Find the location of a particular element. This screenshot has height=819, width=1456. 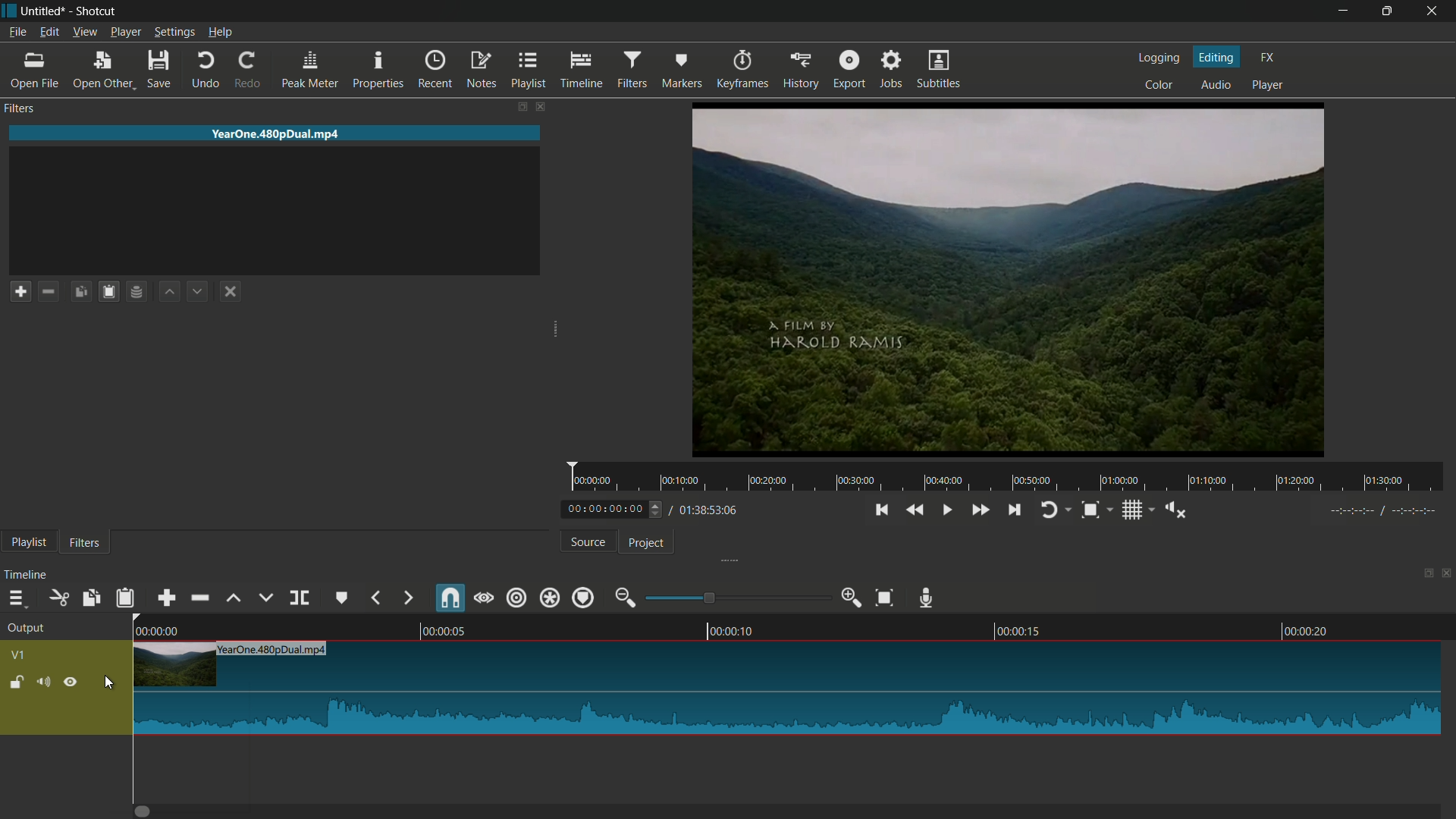

imported file name is located at coordinates (271, 134).